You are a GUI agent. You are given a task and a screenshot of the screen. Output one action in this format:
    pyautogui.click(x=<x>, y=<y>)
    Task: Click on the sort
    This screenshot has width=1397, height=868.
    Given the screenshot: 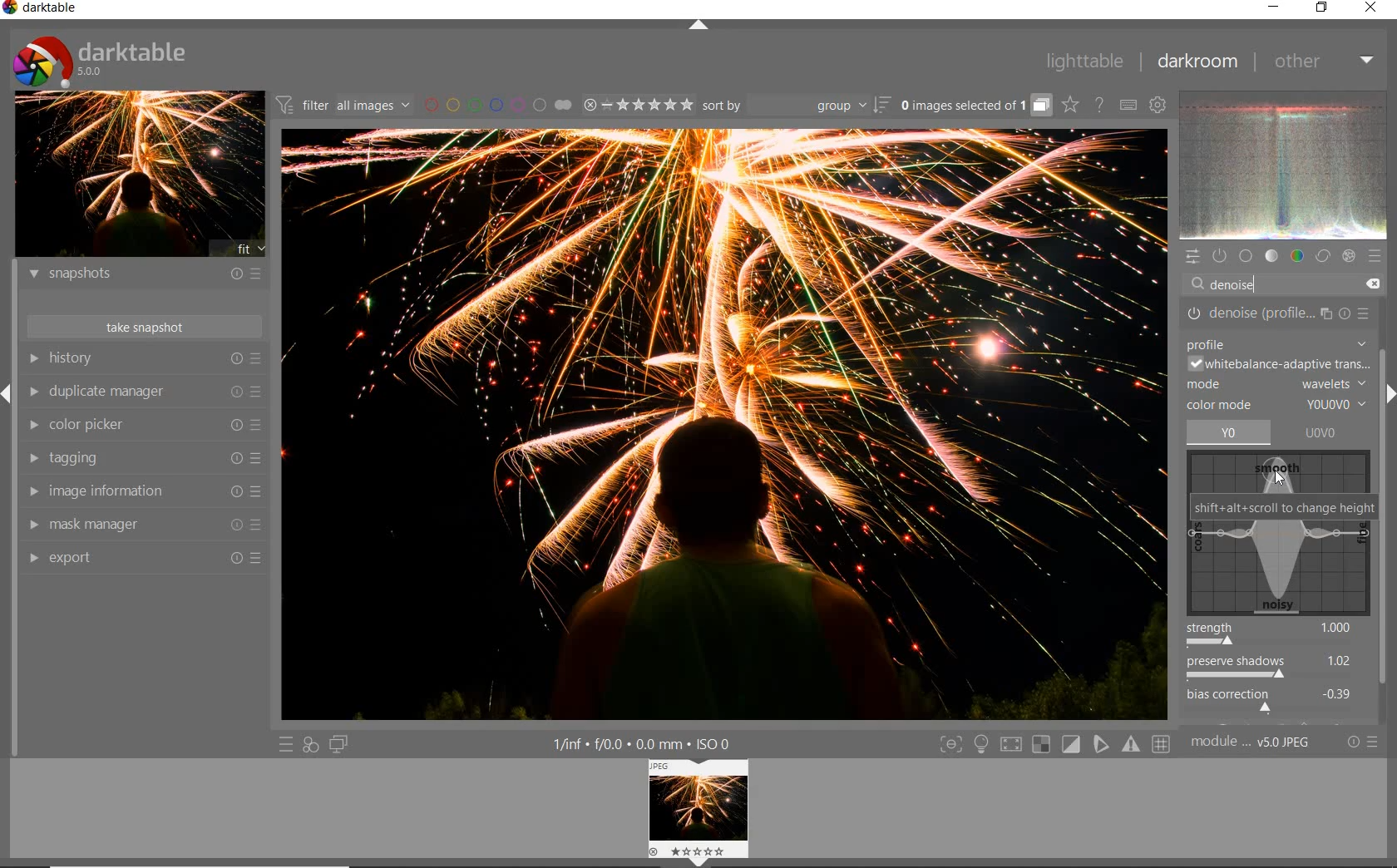 What is the action you would take?
    pyautogui.click(x=795, y=106)
    